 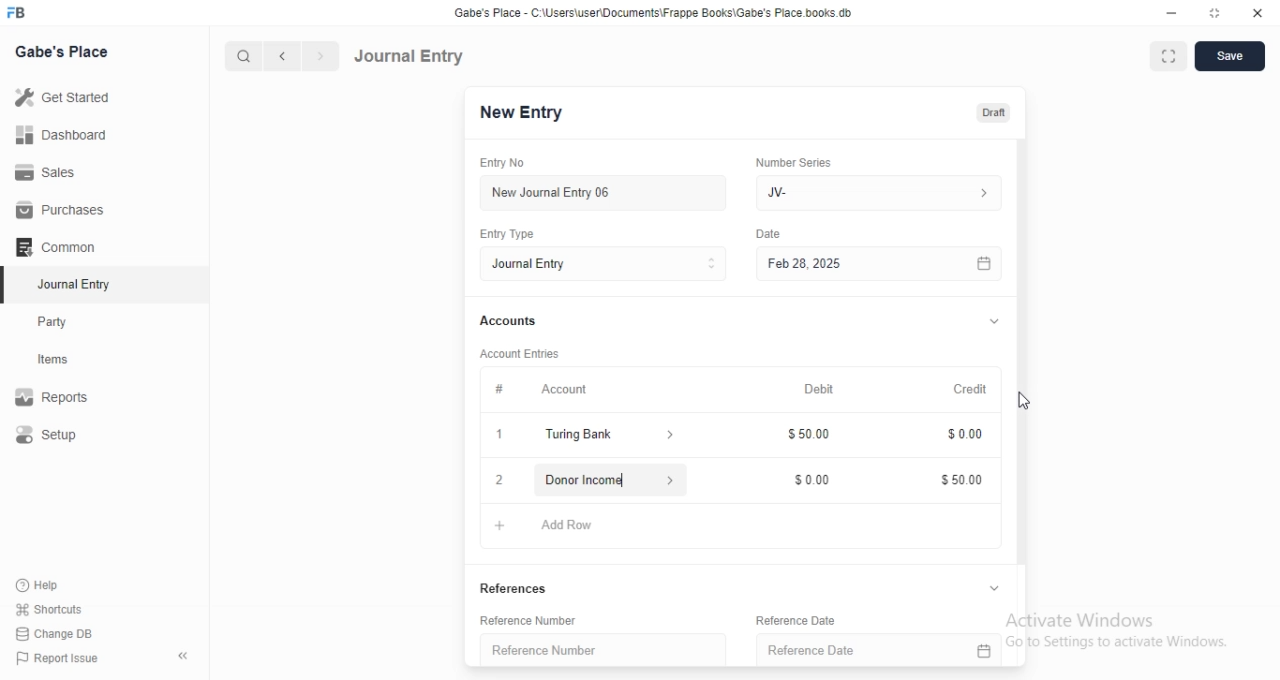 What do you see at coordinates (65, 286) in the screenshot?
I see `Journal Entry` at bounding box center [65, 286].